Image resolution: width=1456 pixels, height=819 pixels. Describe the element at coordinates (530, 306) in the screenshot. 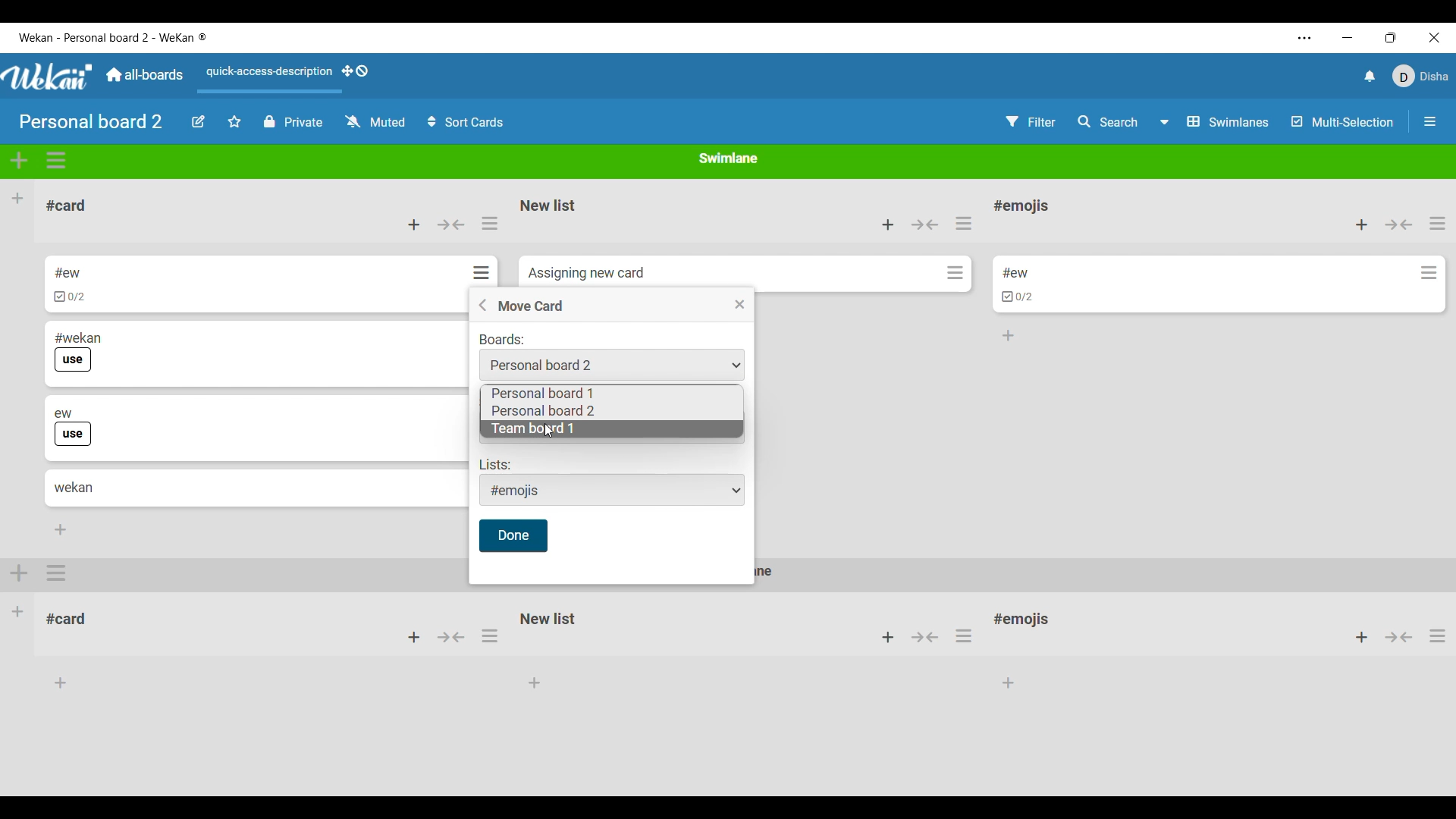

I see `Title of current menu` at that location.